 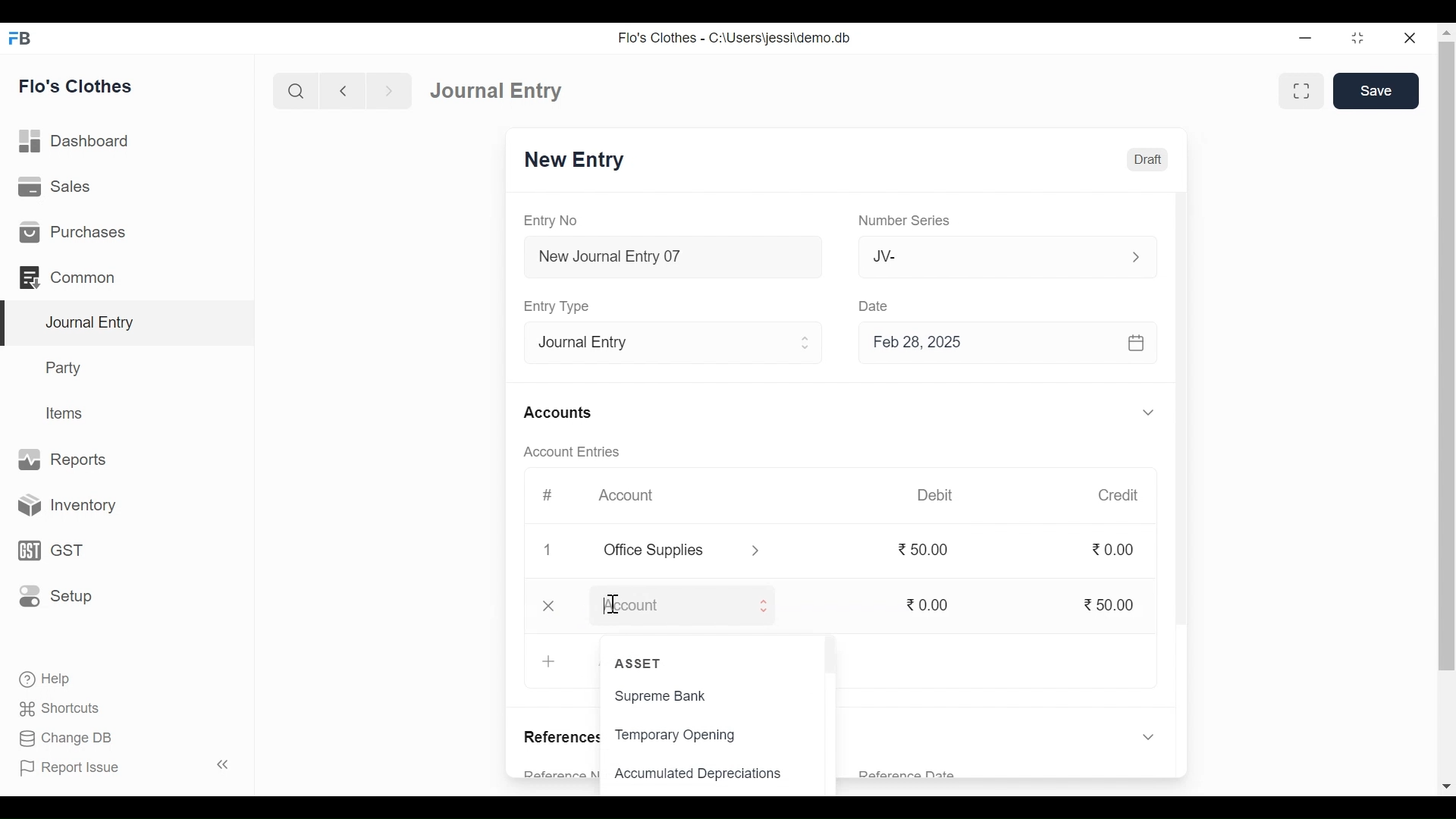 What do you see at coordinates (935, 495) in the screenshot?
I see `Debit` at bounding box center [935, 495].